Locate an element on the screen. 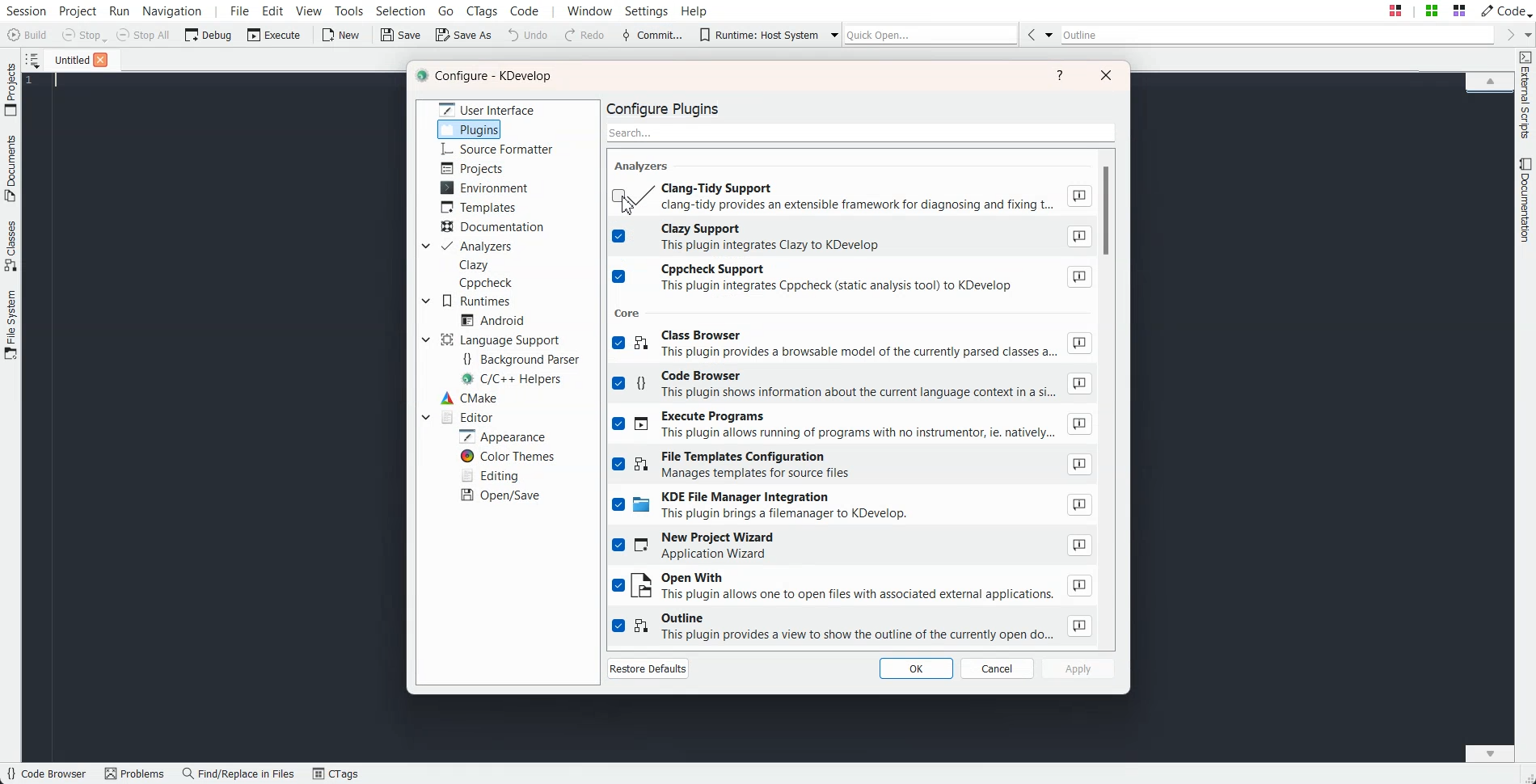 The image size is (1536, 784). Appearance is located at coordinates (501, 436).